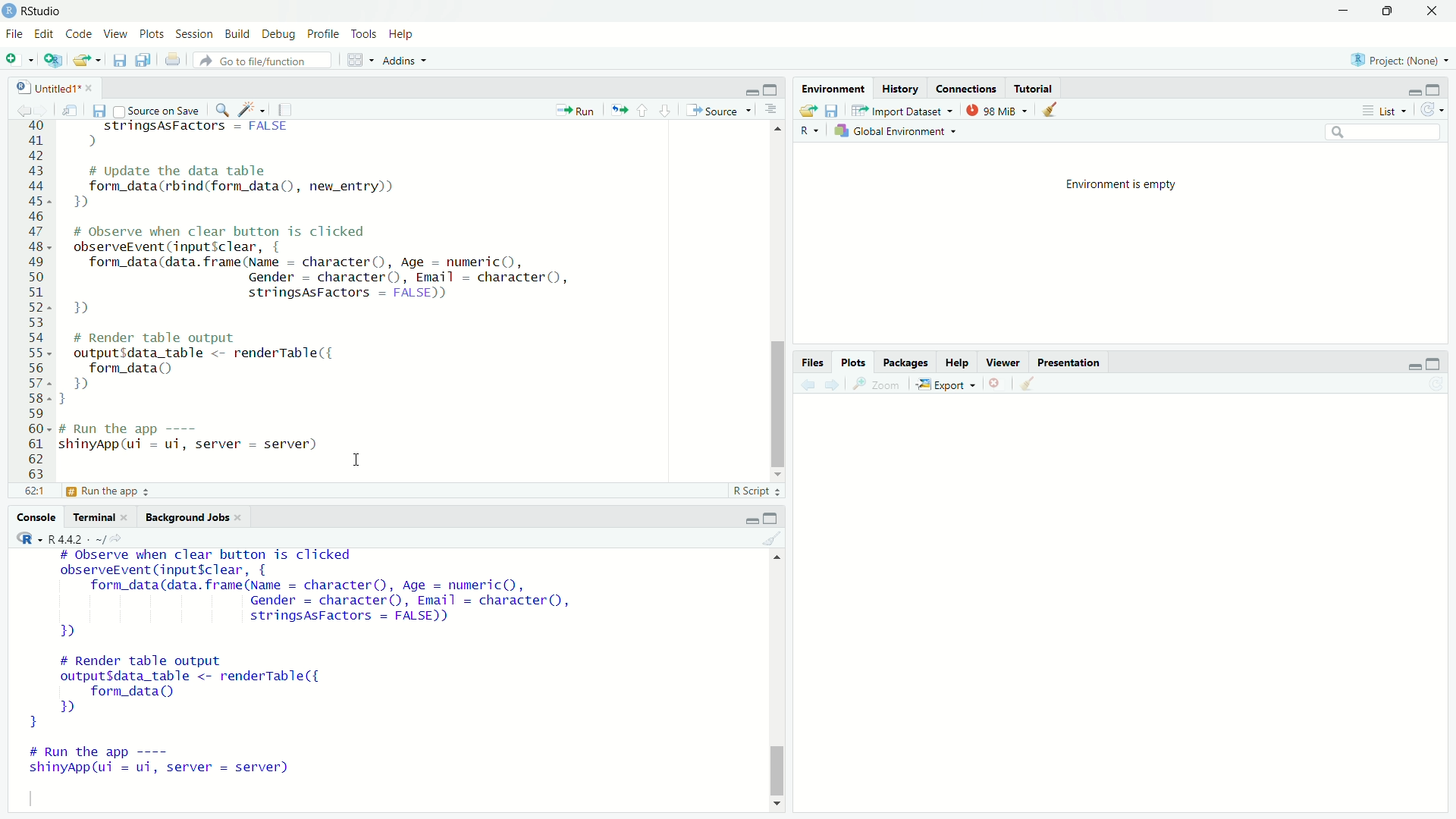 This screenshot has height=819, width=1456. What do you see at coordinates (17, 108) in the screenshot?
I see `go back to previous source location` at bounding box center [17, 108].